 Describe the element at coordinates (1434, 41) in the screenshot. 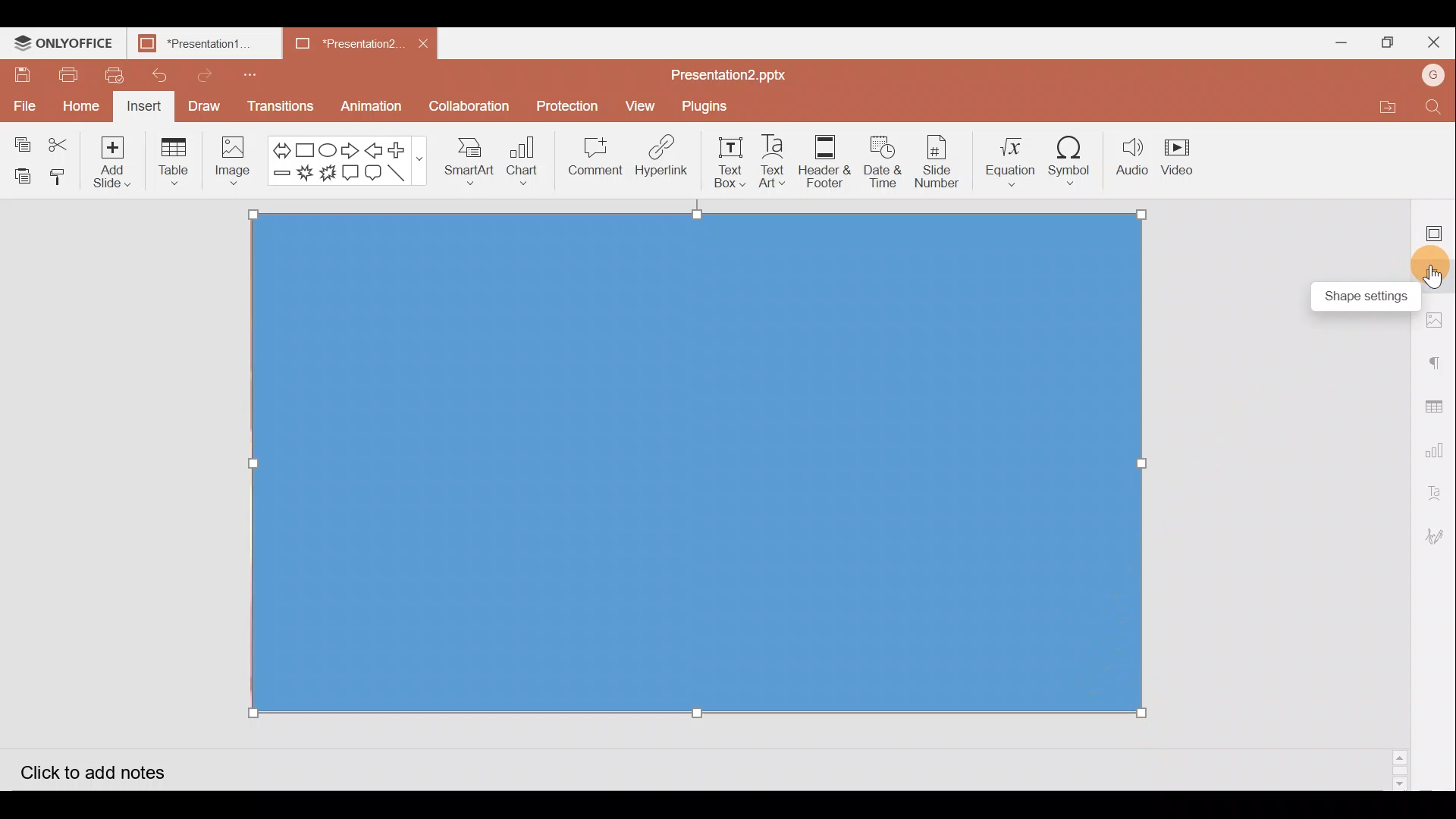

I see `Close` at that location.